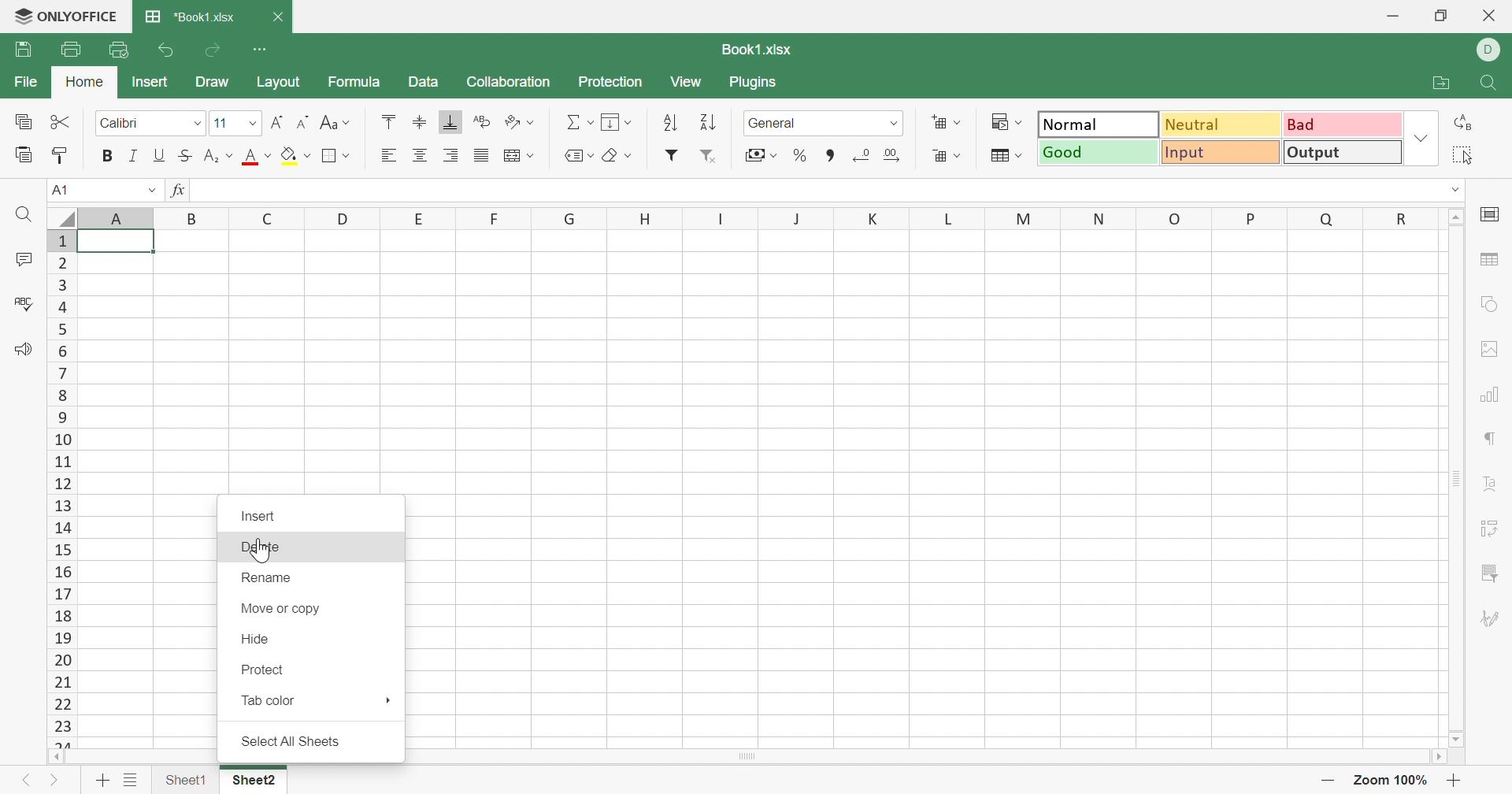 This screenshot has width=1512, height=794. What do you see at coordinates (1422, 139) in the screenshot?
I see `Drop Down` at bounding box center [1422, 139].